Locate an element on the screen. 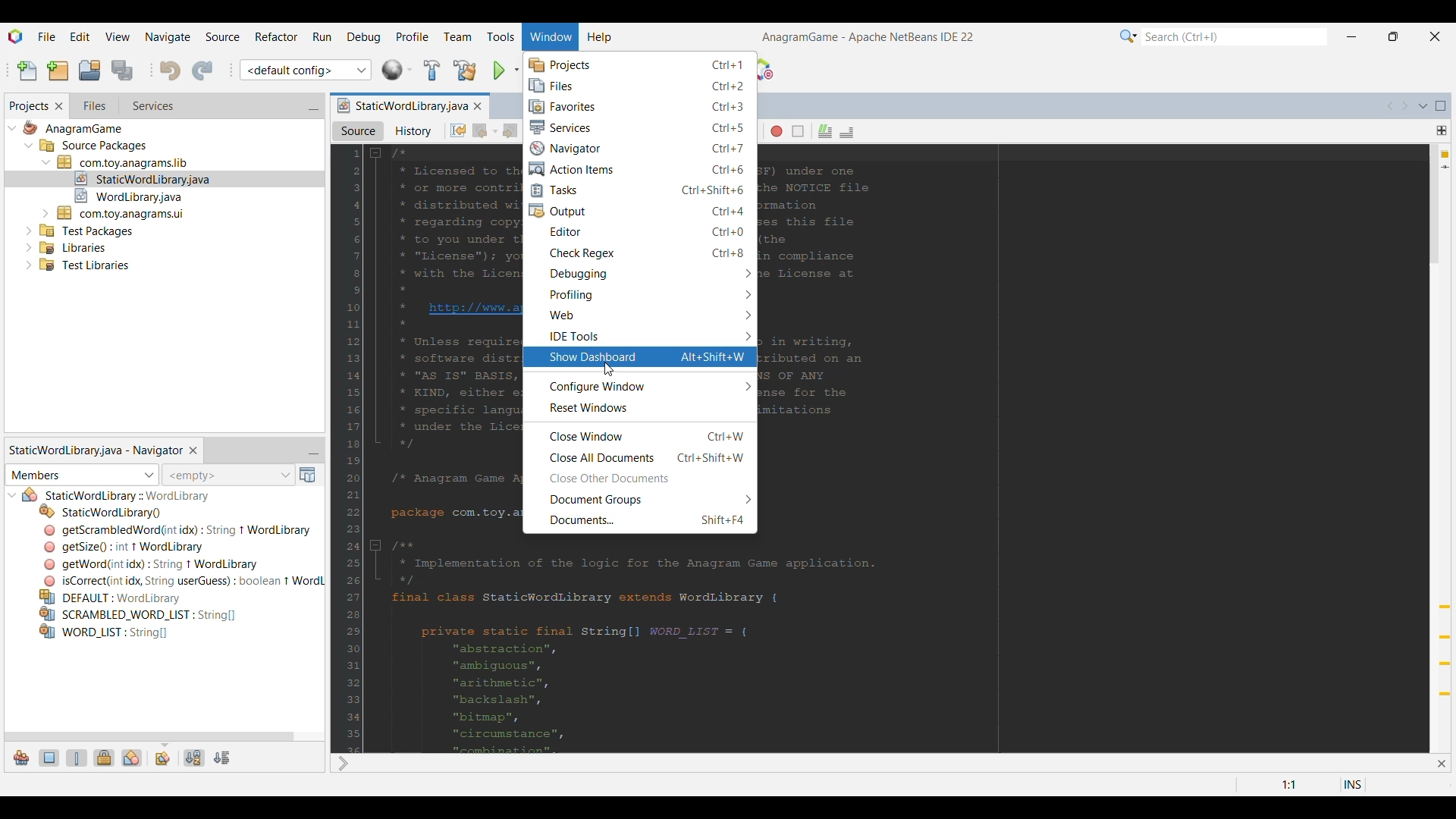   is located at coordinates (73, 130).